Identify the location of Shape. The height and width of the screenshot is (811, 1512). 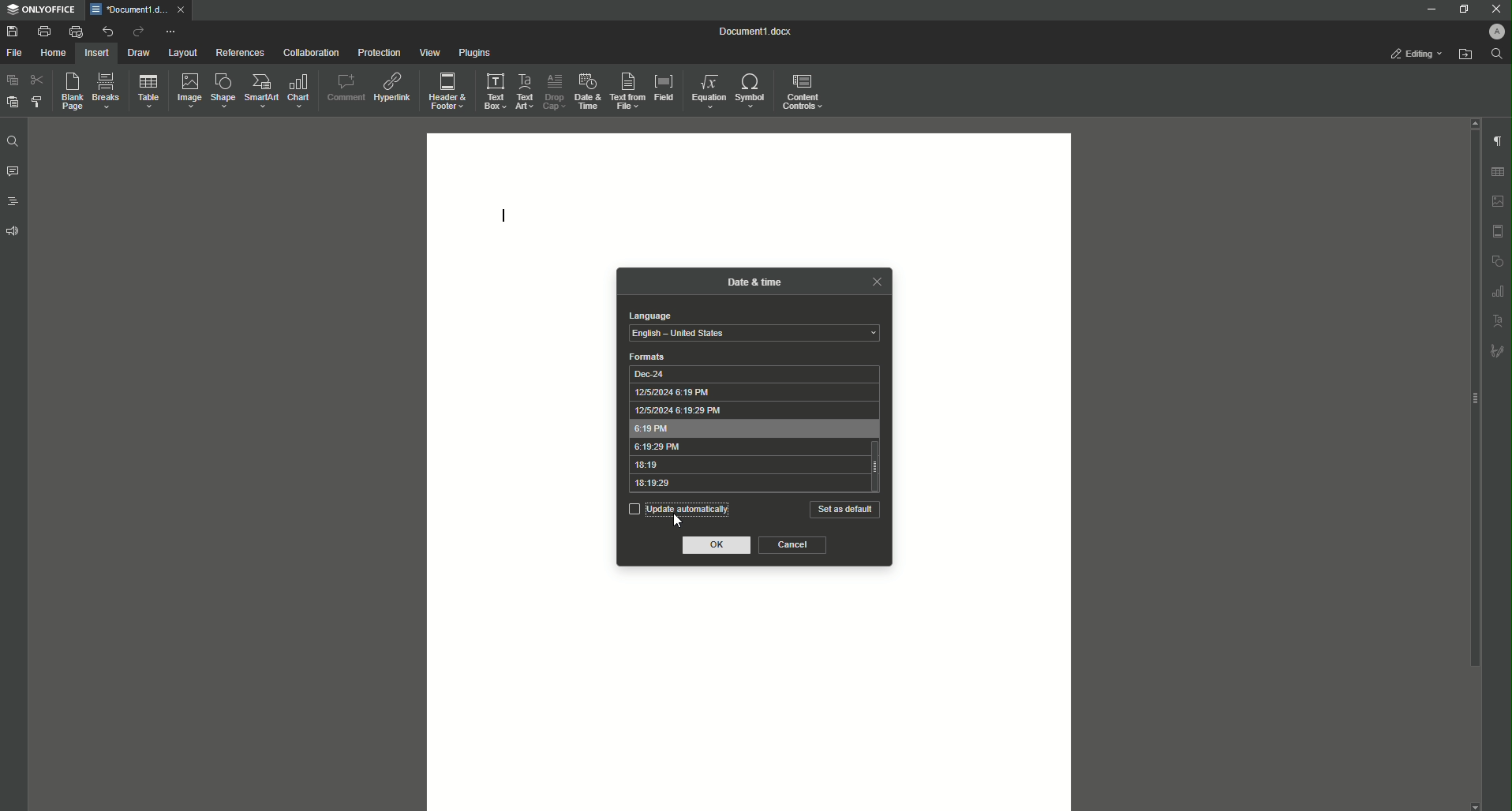
(220, 91).